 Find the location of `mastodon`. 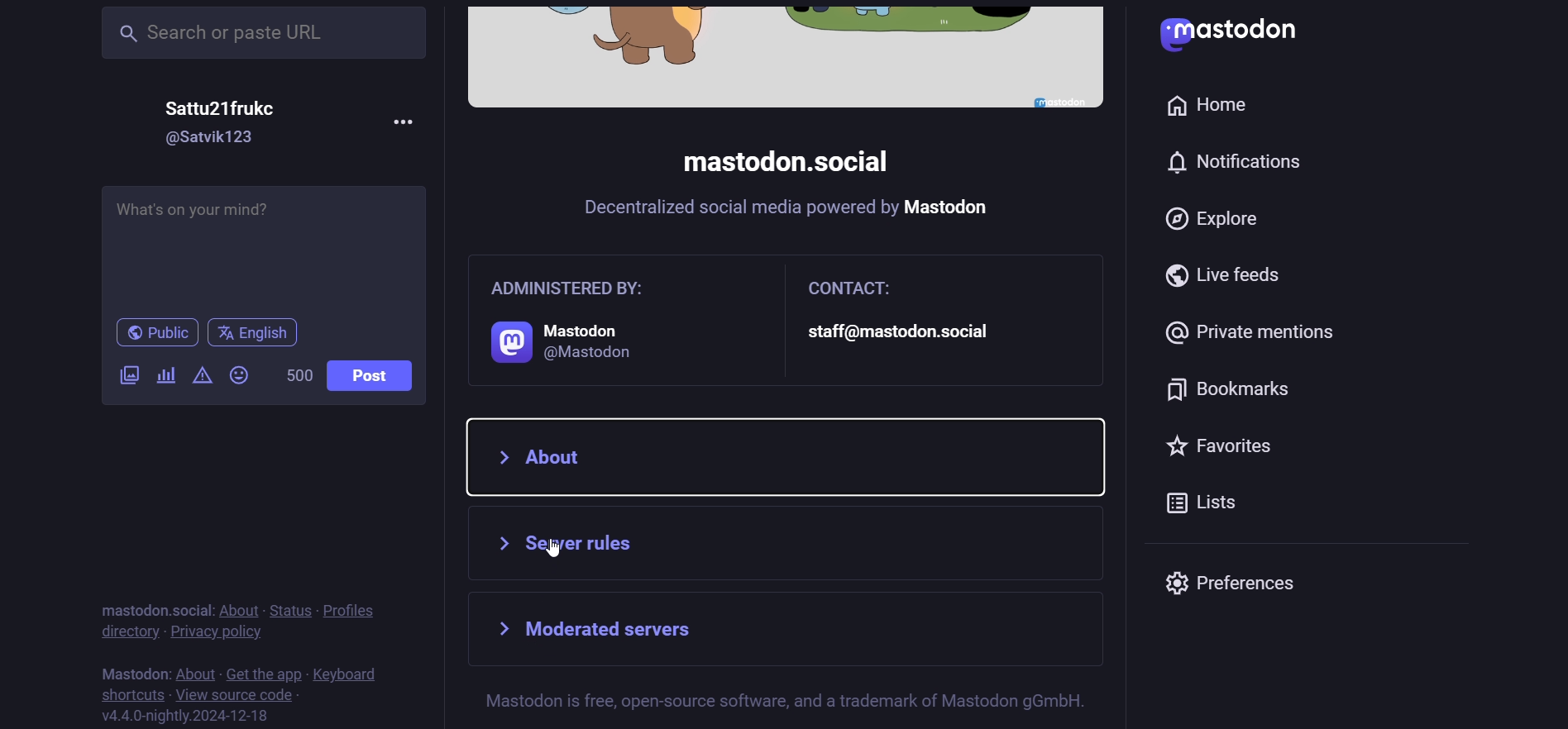

mastodon is located at coordinates (131, 670).